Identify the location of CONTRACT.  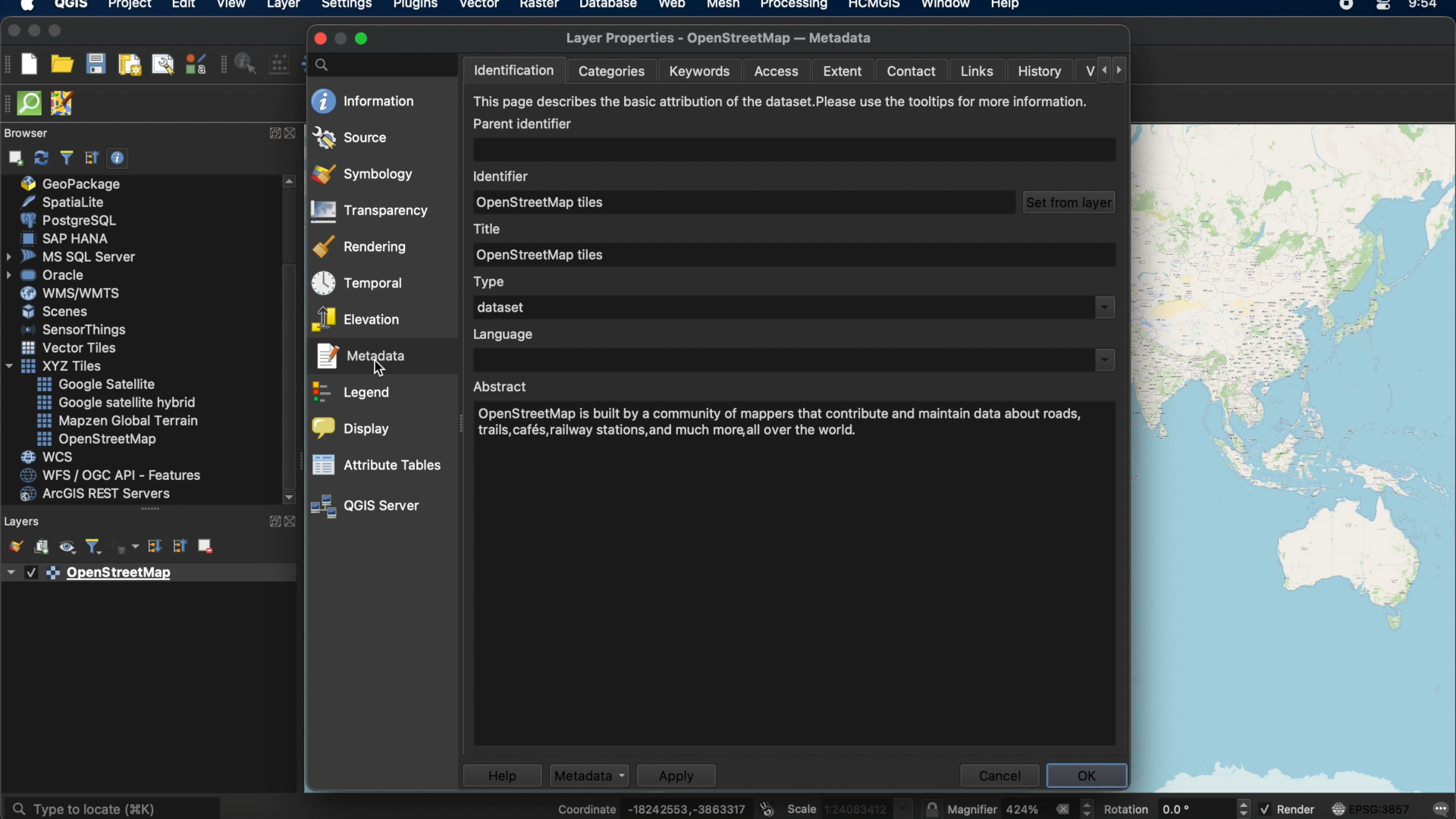
(290, 522).